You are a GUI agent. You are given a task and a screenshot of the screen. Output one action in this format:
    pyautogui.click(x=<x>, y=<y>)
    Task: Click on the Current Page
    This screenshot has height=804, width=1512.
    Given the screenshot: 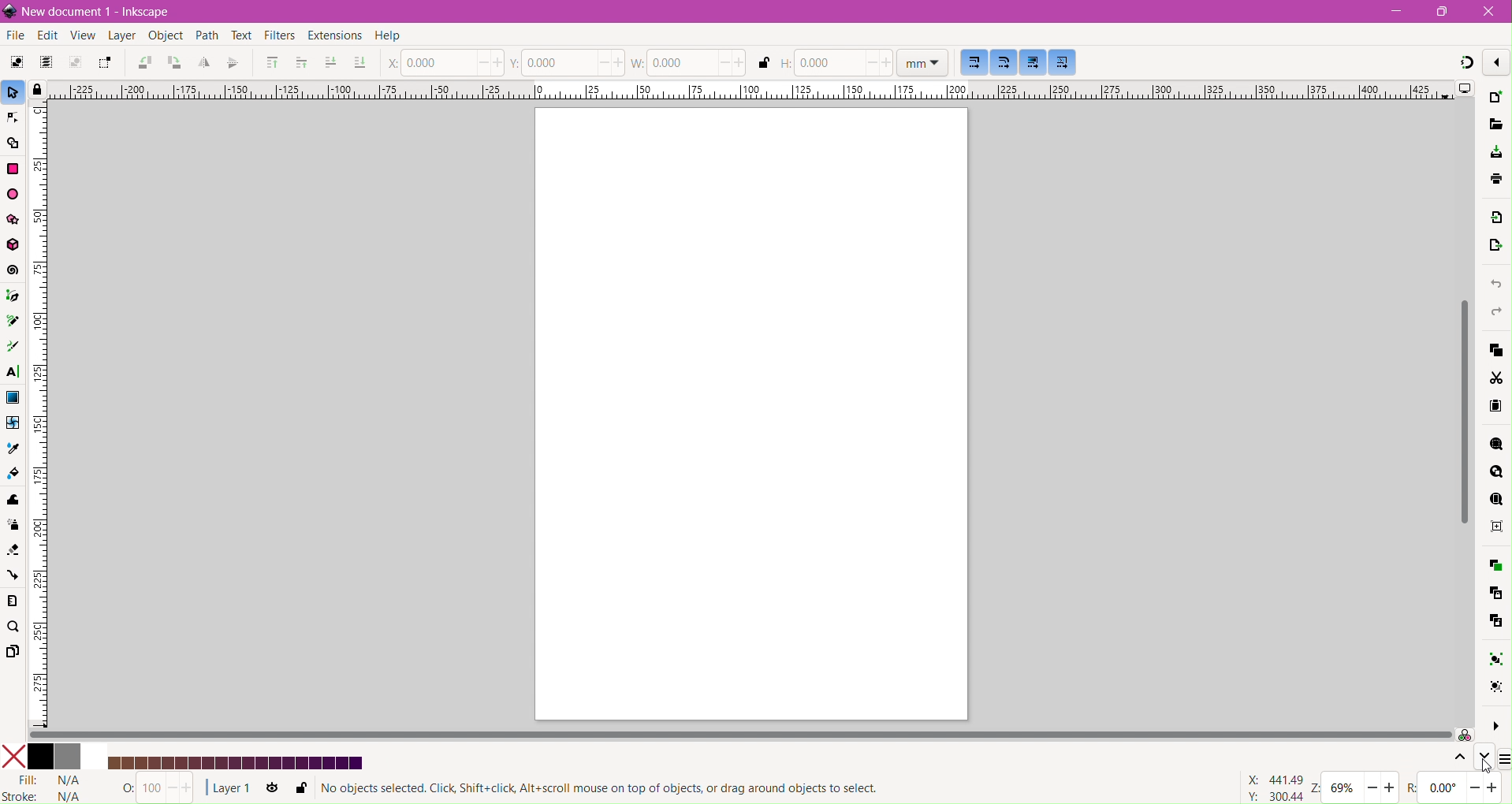 What is the action you would take?
    pyautogui.click(x=748, y=415)
    